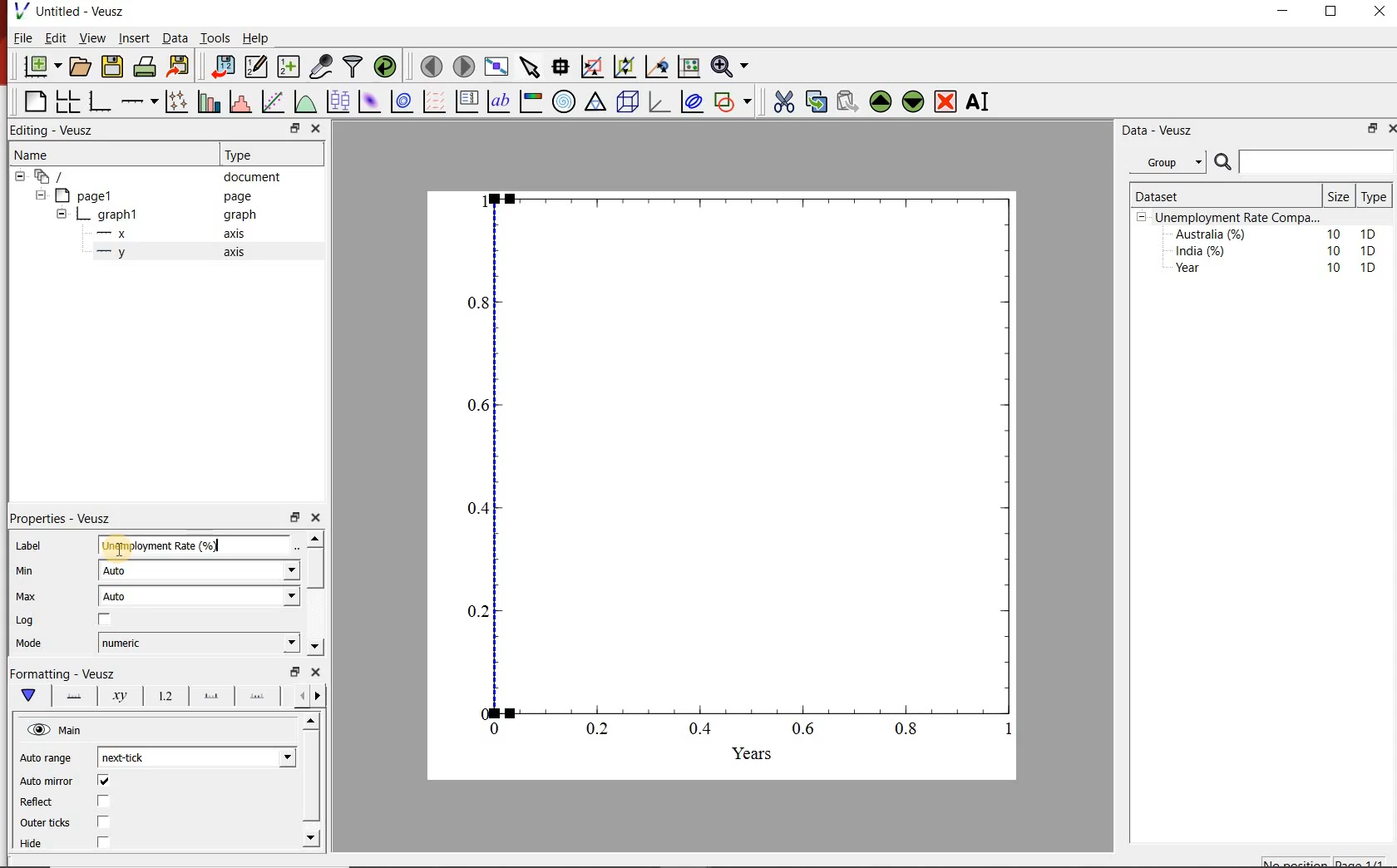 The height and width of the screenshot is (868, 1397). I want to click on graph chart, so click(723, 486).